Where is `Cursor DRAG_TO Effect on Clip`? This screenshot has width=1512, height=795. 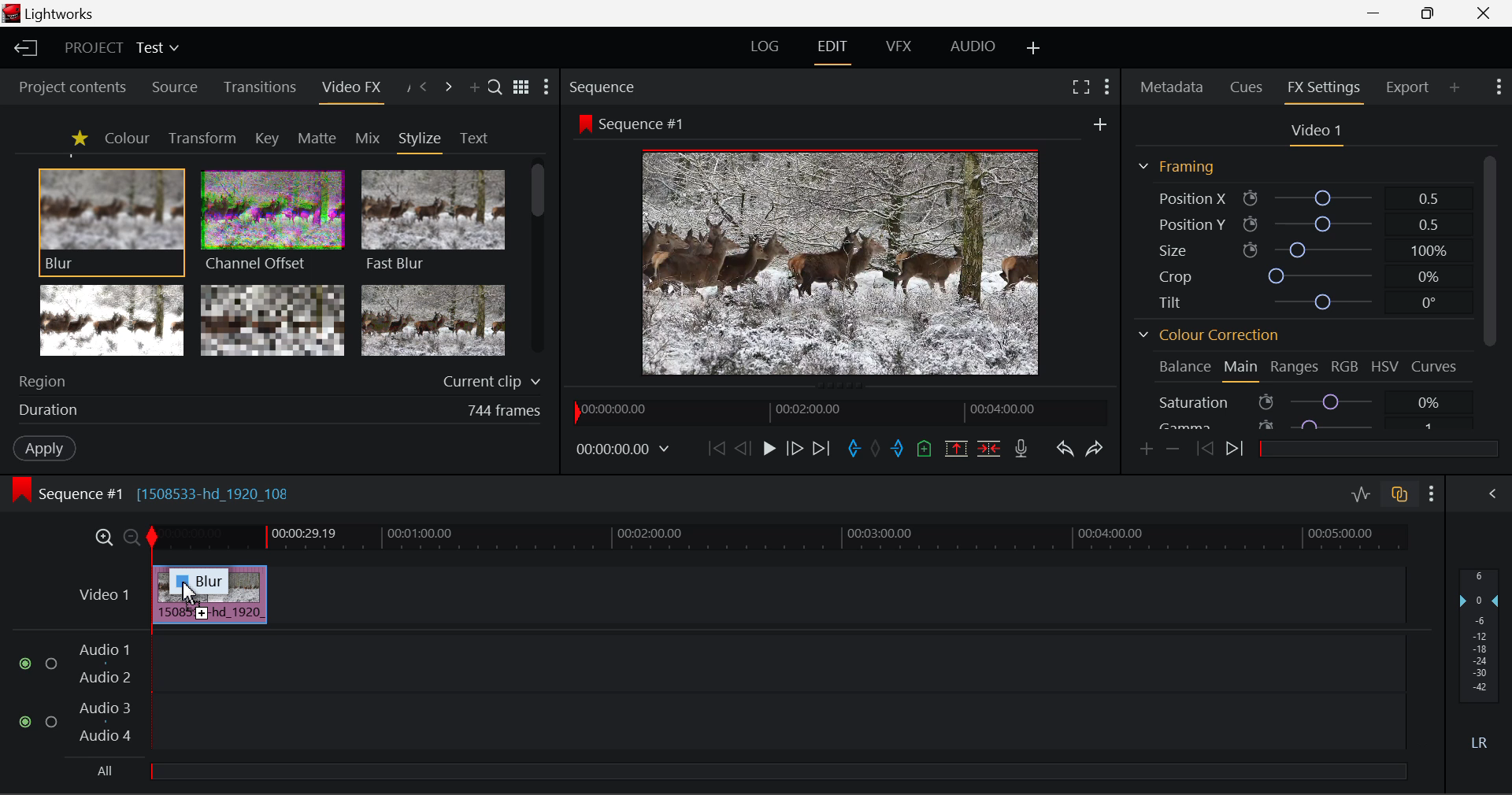 Cursor DRAG_TO Effect on Clip is located at coordinates (209, 595).